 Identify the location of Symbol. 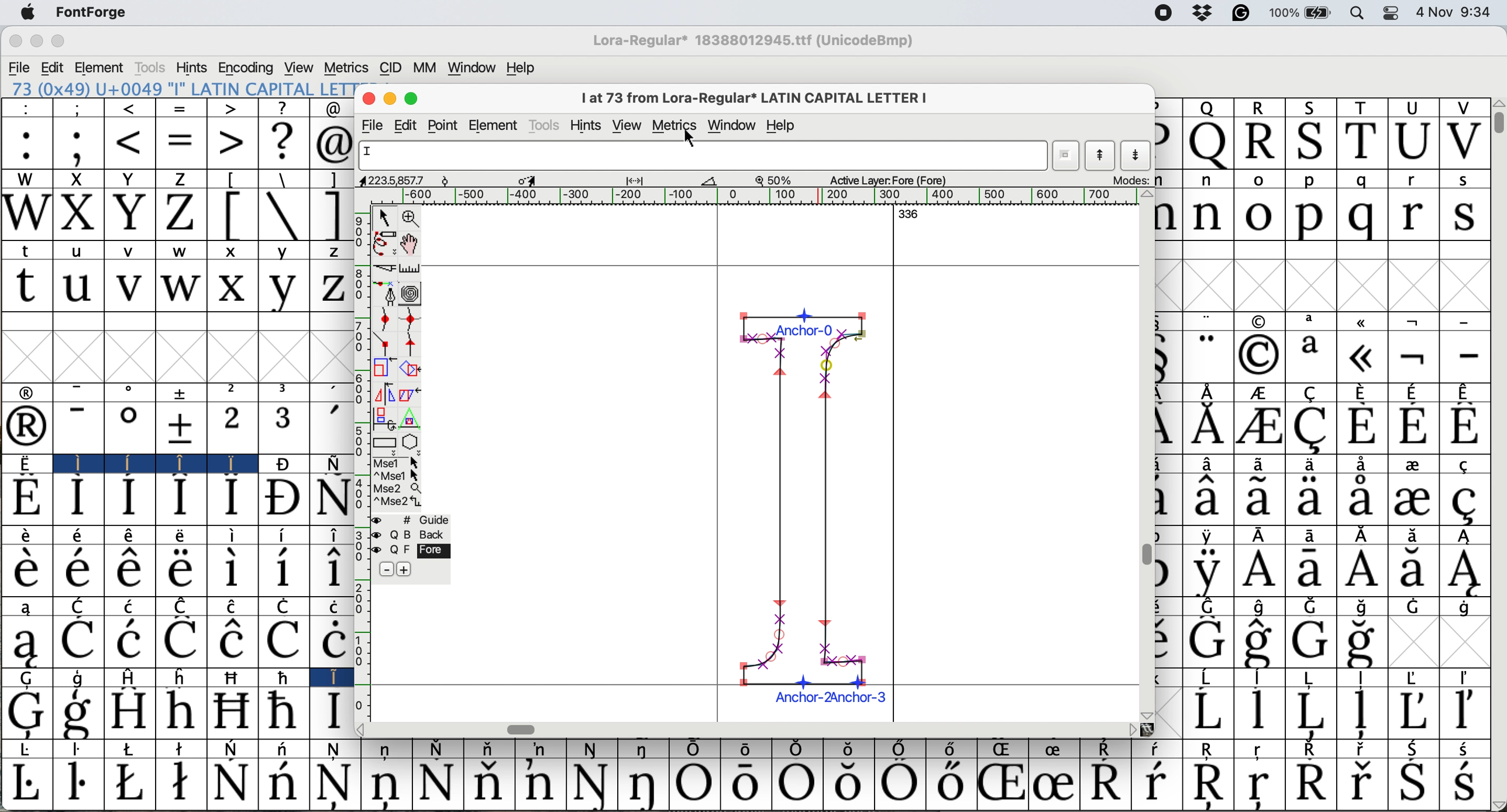
(1317, 678).